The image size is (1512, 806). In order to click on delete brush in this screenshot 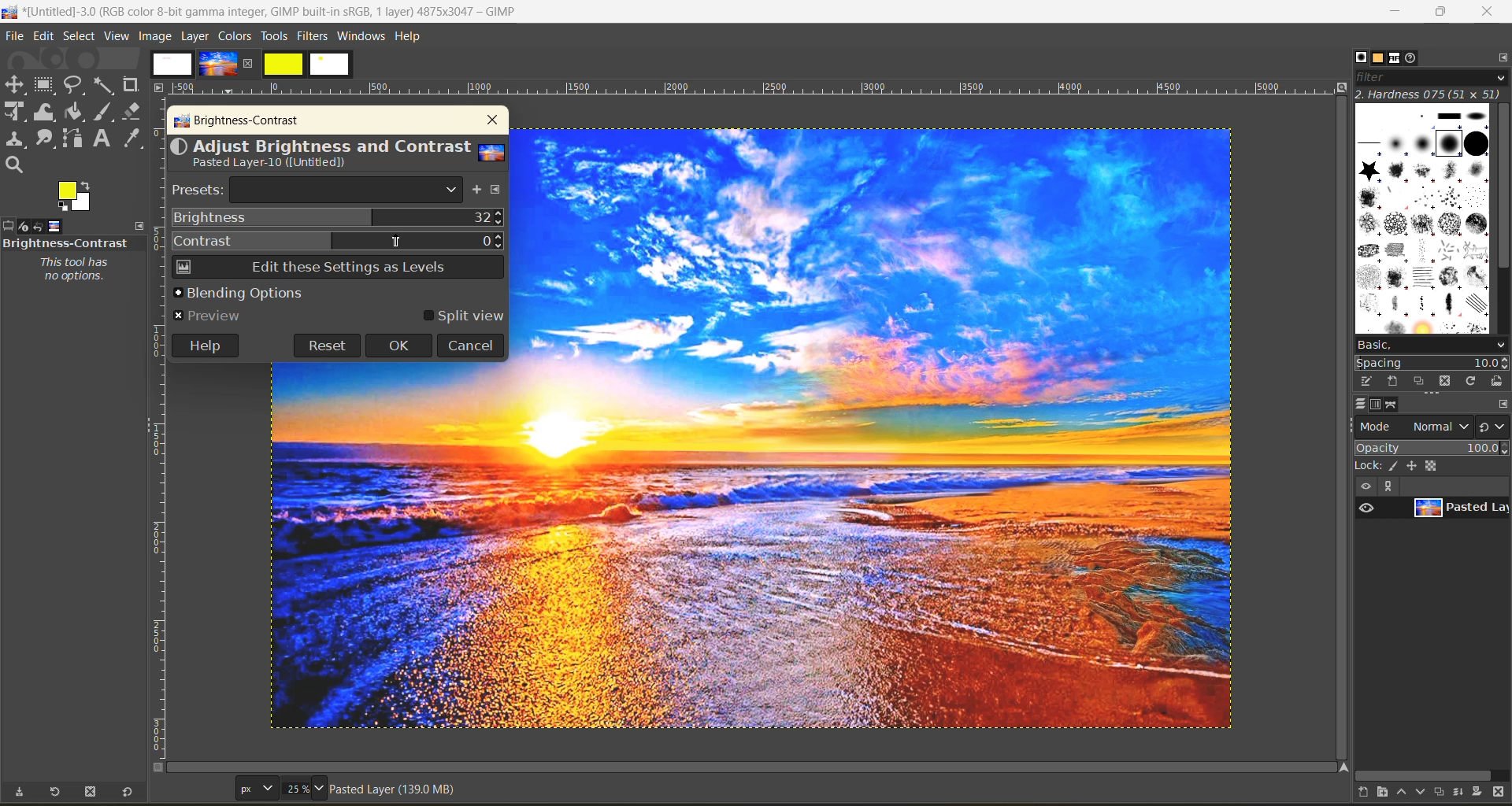, I will do `click(1448, 383)`.